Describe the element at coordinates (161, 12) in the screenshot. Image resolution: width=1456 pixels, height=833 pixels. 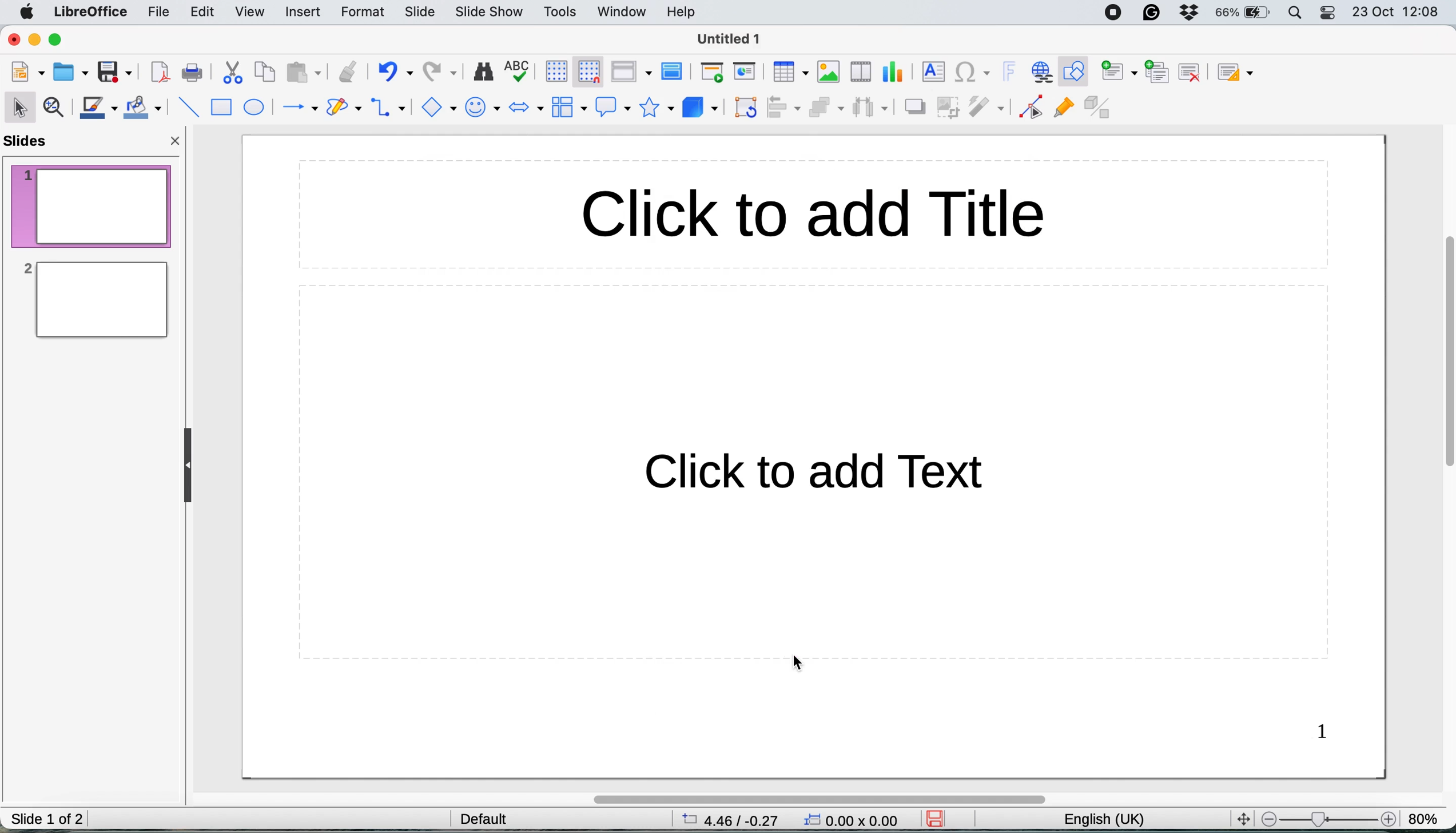
I see `file` at that location.